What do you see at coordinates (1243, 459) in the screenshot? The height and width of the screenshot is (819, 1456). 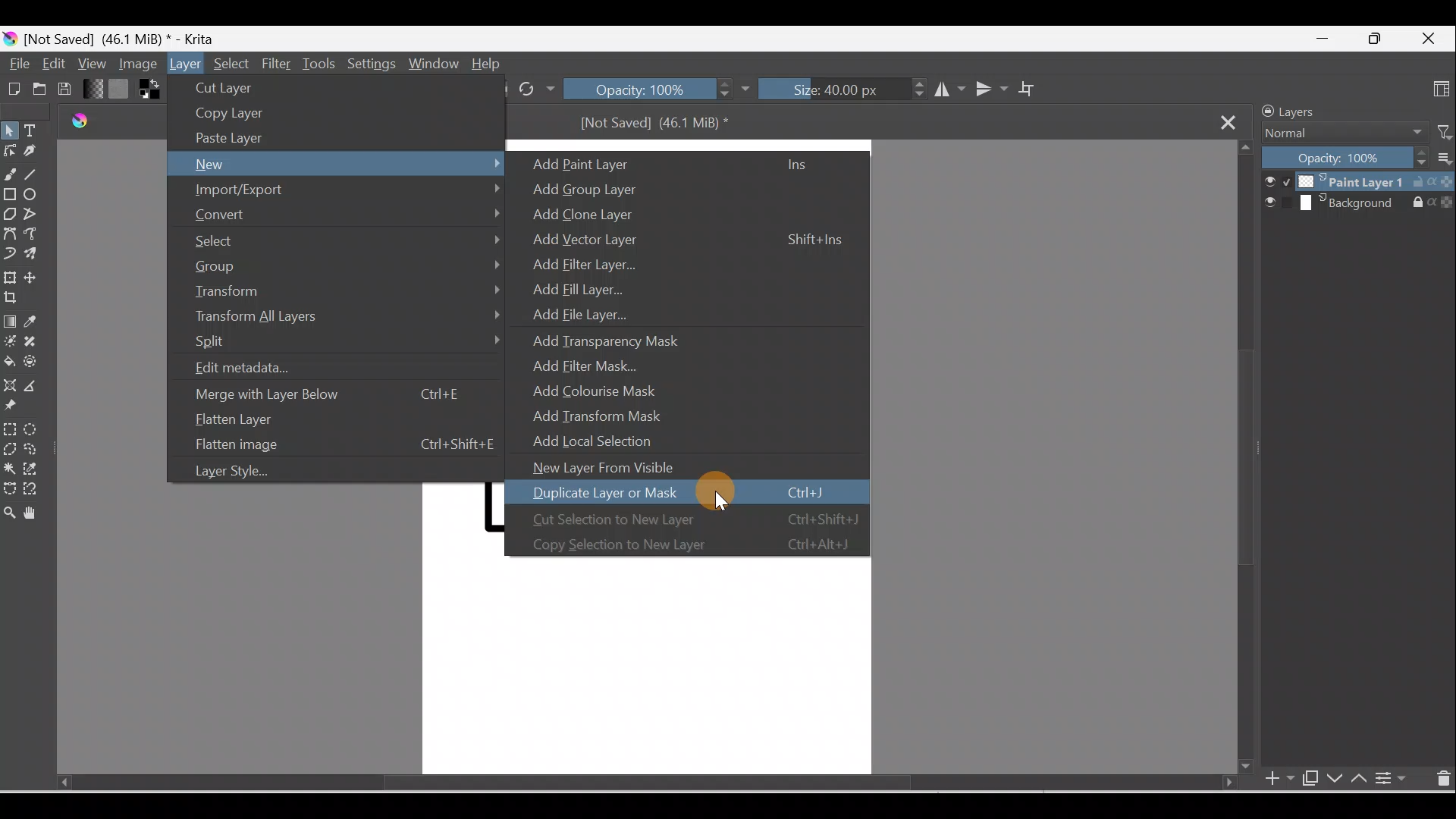 I see `Scroll bar` at bounding box center [1243, 459].